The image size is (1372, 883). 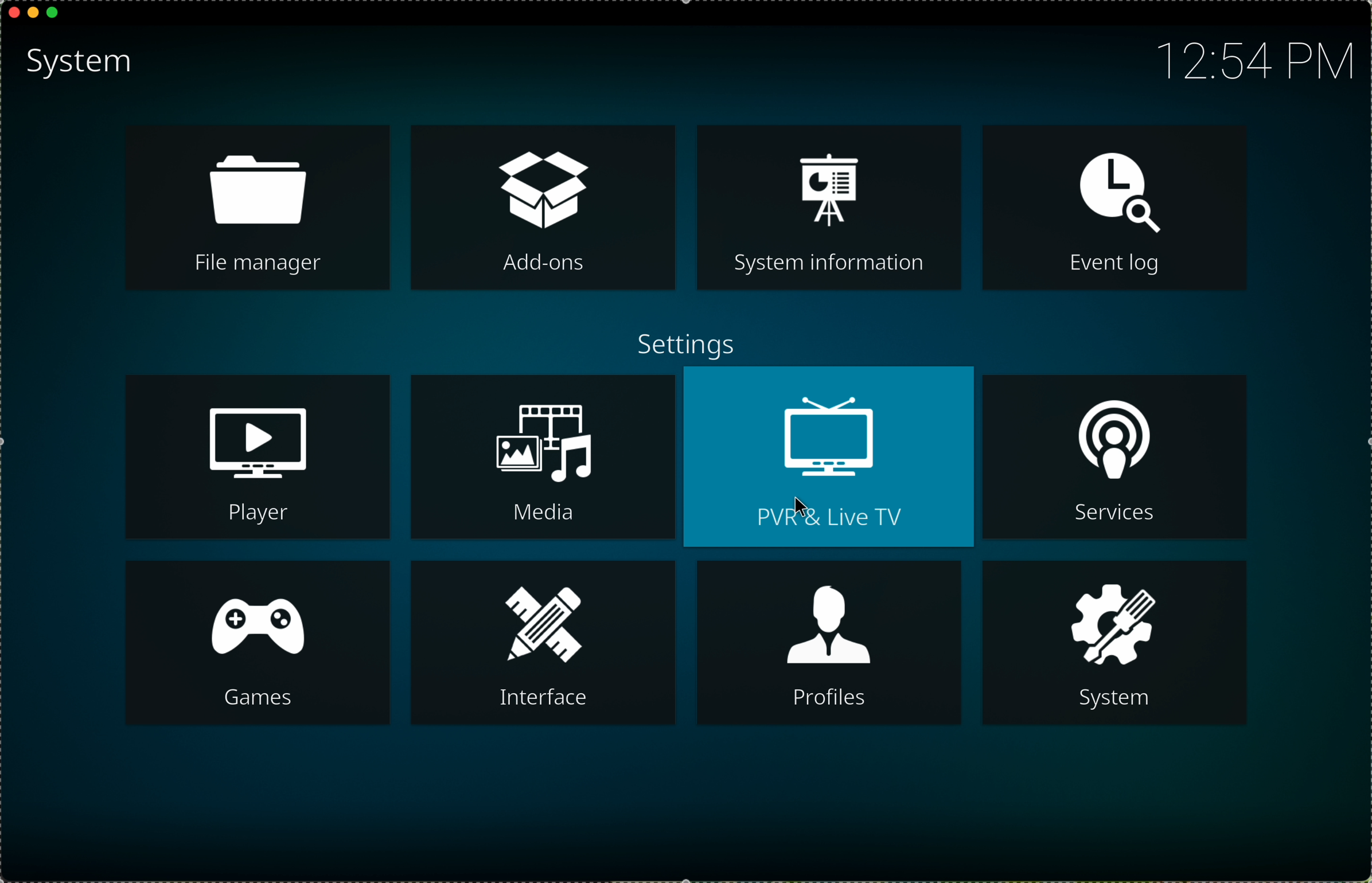 What do you see at coordinates (1244, 58) in the screenshot?
I see `12:54 PM      ` at bounding box center [1244, 58].